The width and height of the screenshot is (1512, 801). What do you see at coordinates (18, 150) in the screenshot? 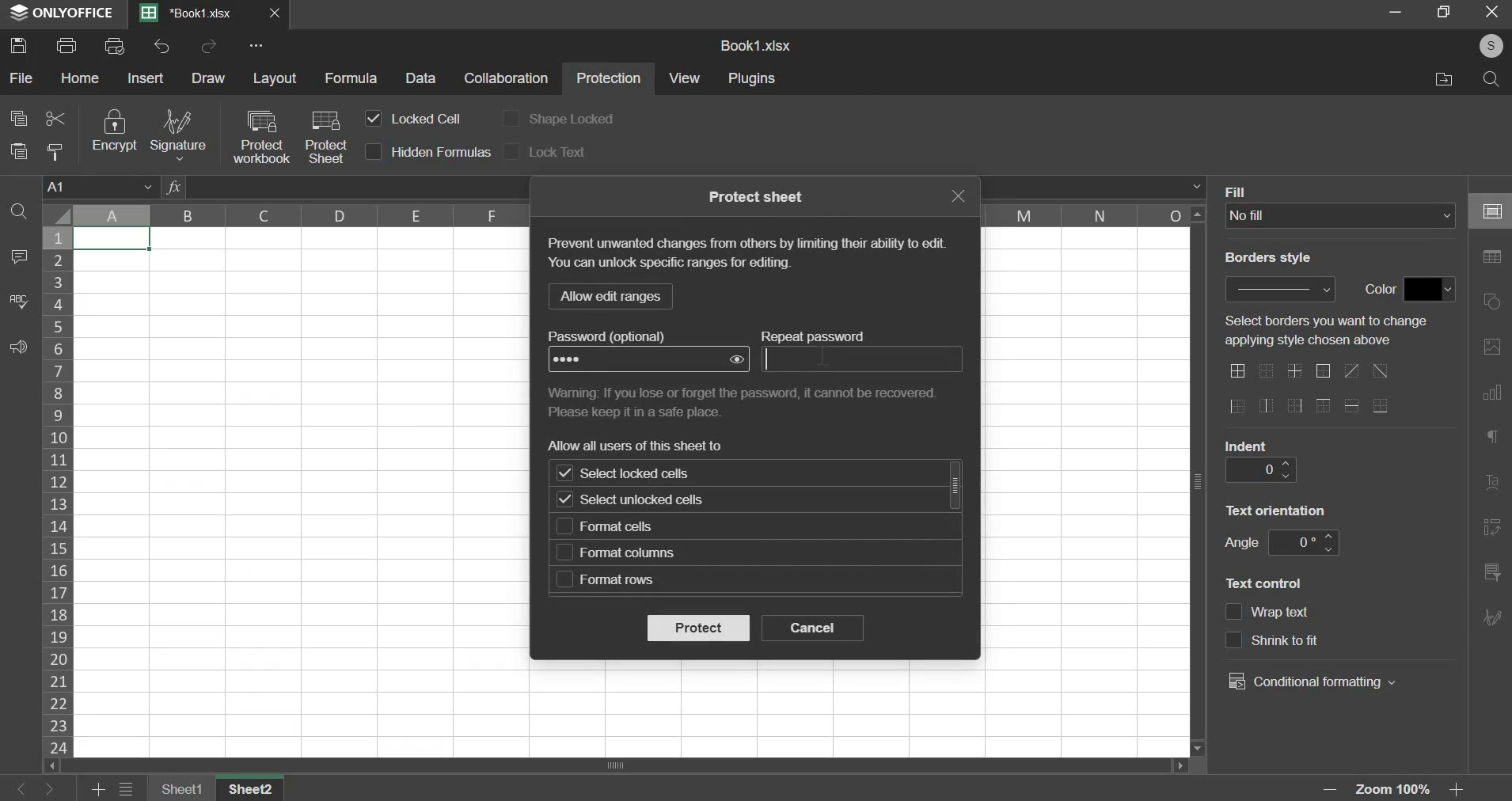
I see `paste` at bounding box center [18, 150].